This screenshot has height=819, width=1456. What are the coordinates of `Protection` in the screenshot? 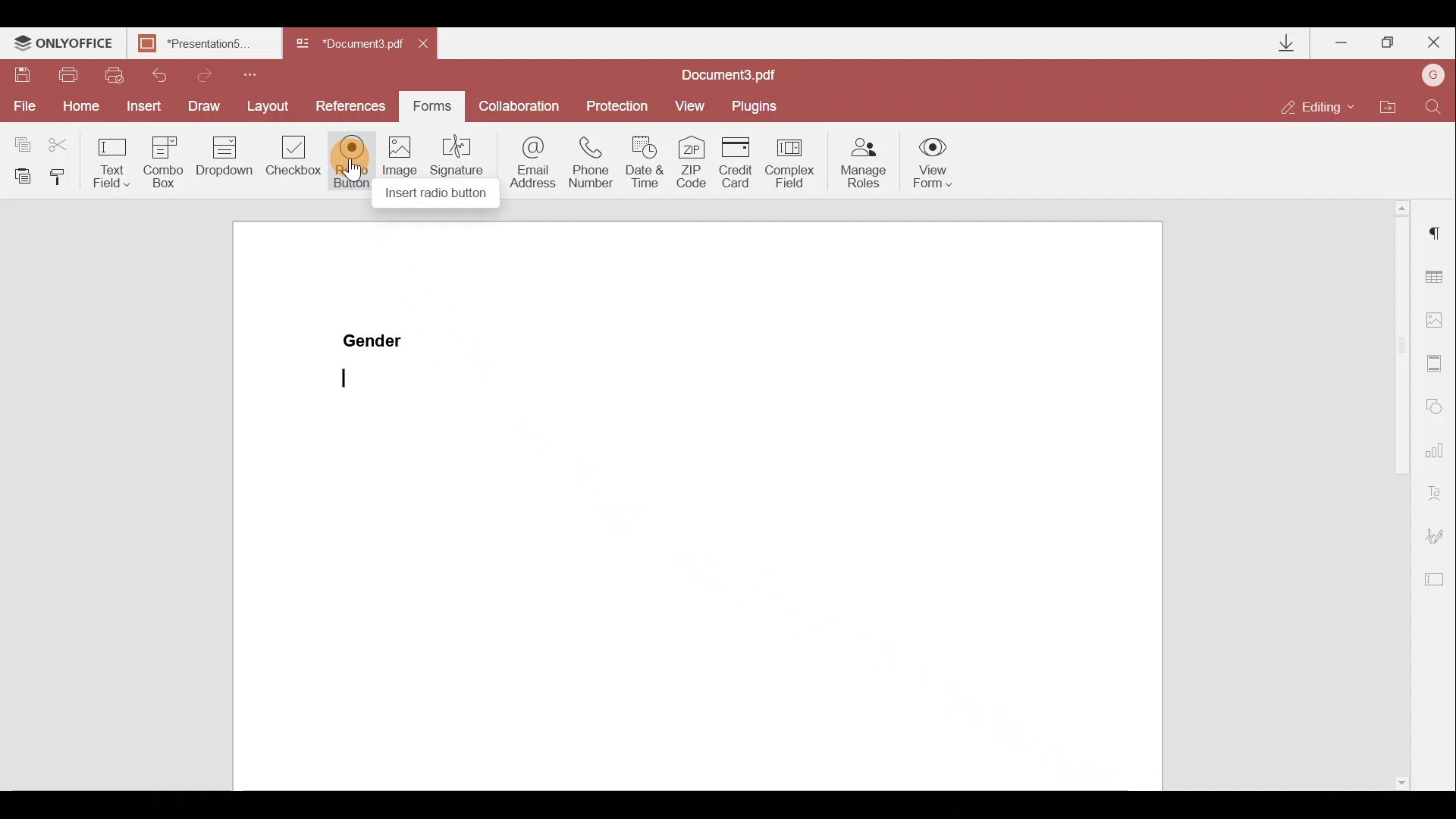 It's located at (619, 102).